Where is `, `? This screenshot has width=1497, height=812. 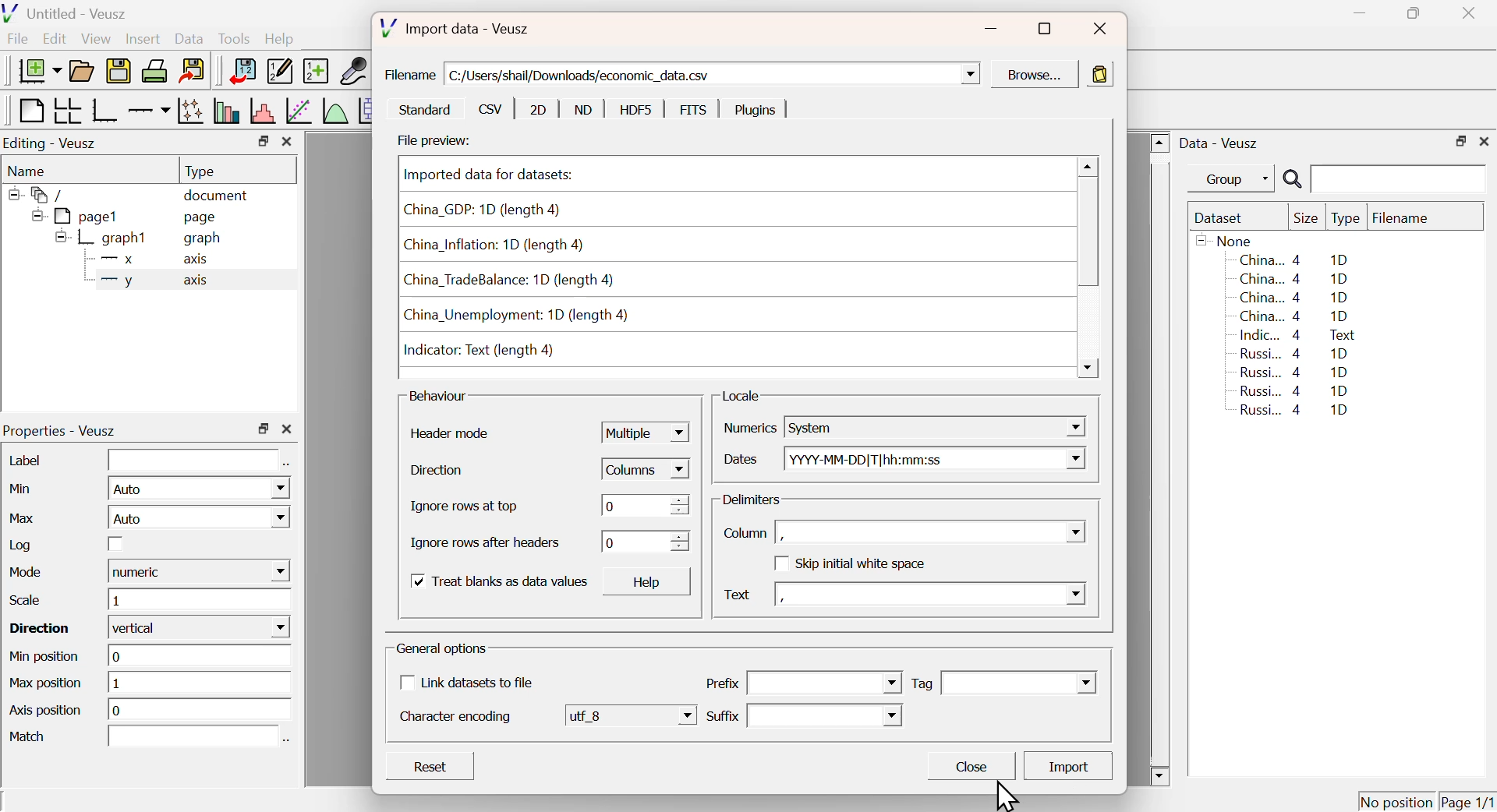
,  is located at coordinates (931, 595).